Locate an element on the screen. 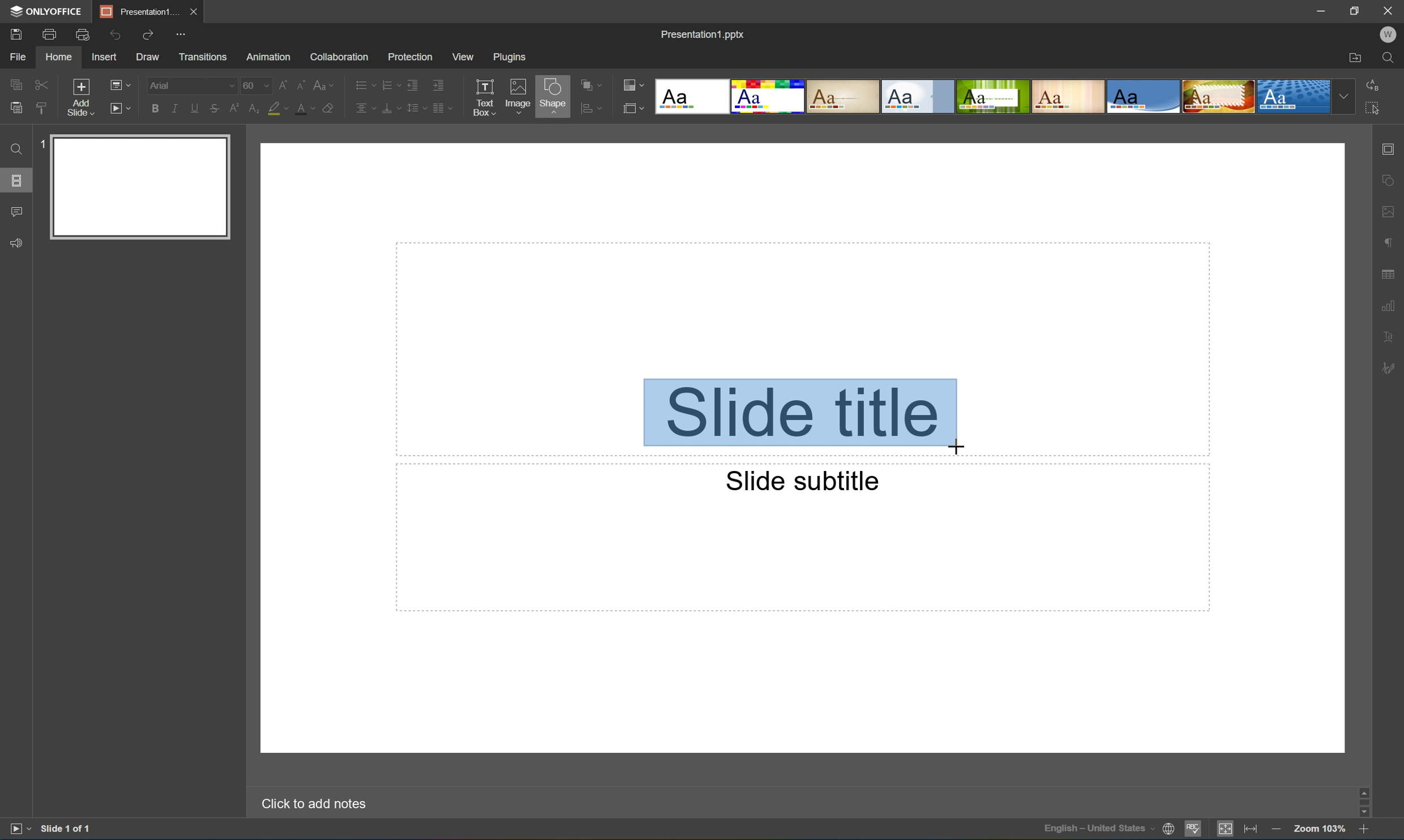  Italic is located at coordinates (173, 107).